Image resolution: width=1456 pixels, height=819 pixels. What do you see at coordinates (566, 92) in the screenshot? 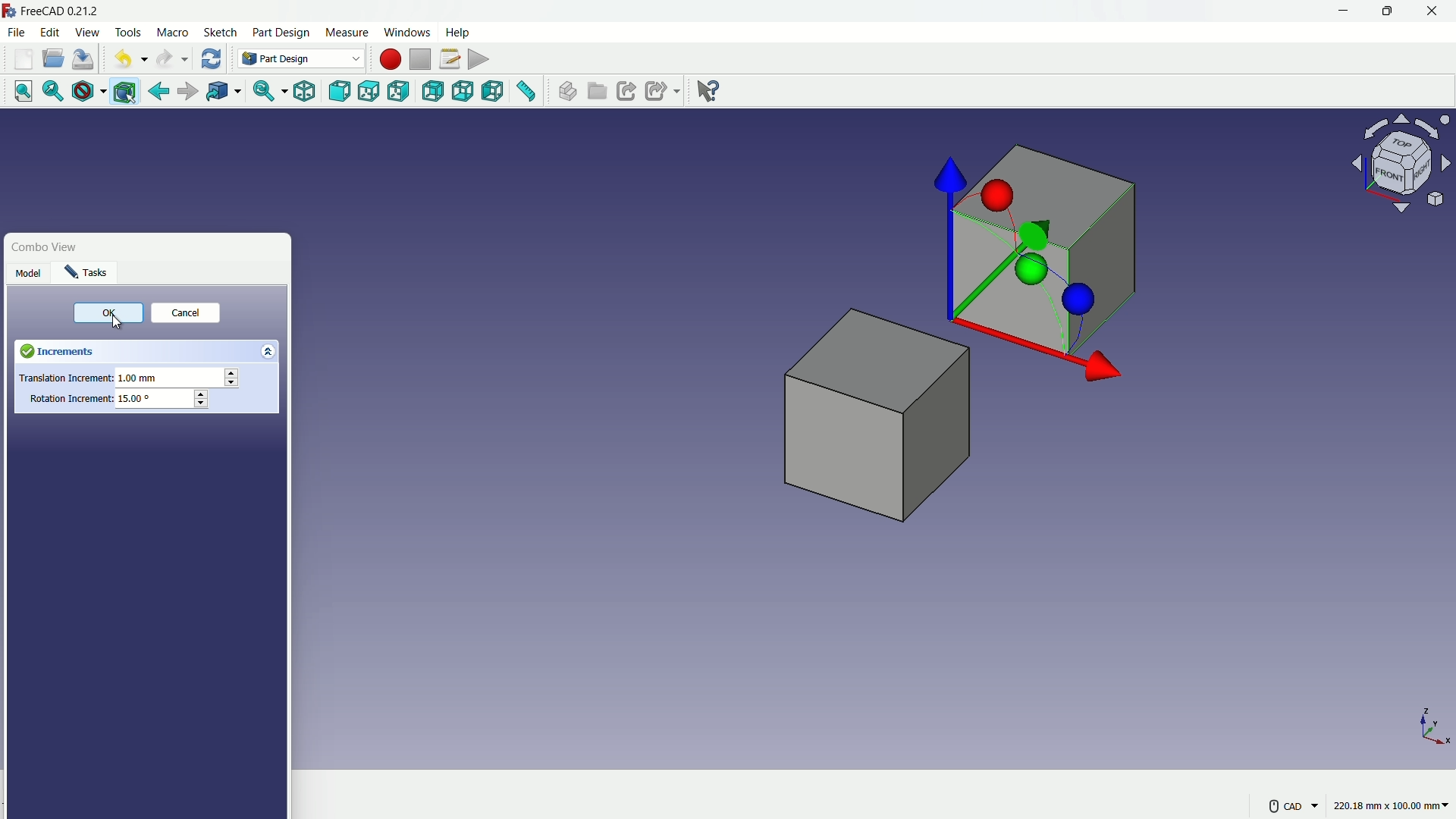
I see `create part` at bounding box center [566, 92].